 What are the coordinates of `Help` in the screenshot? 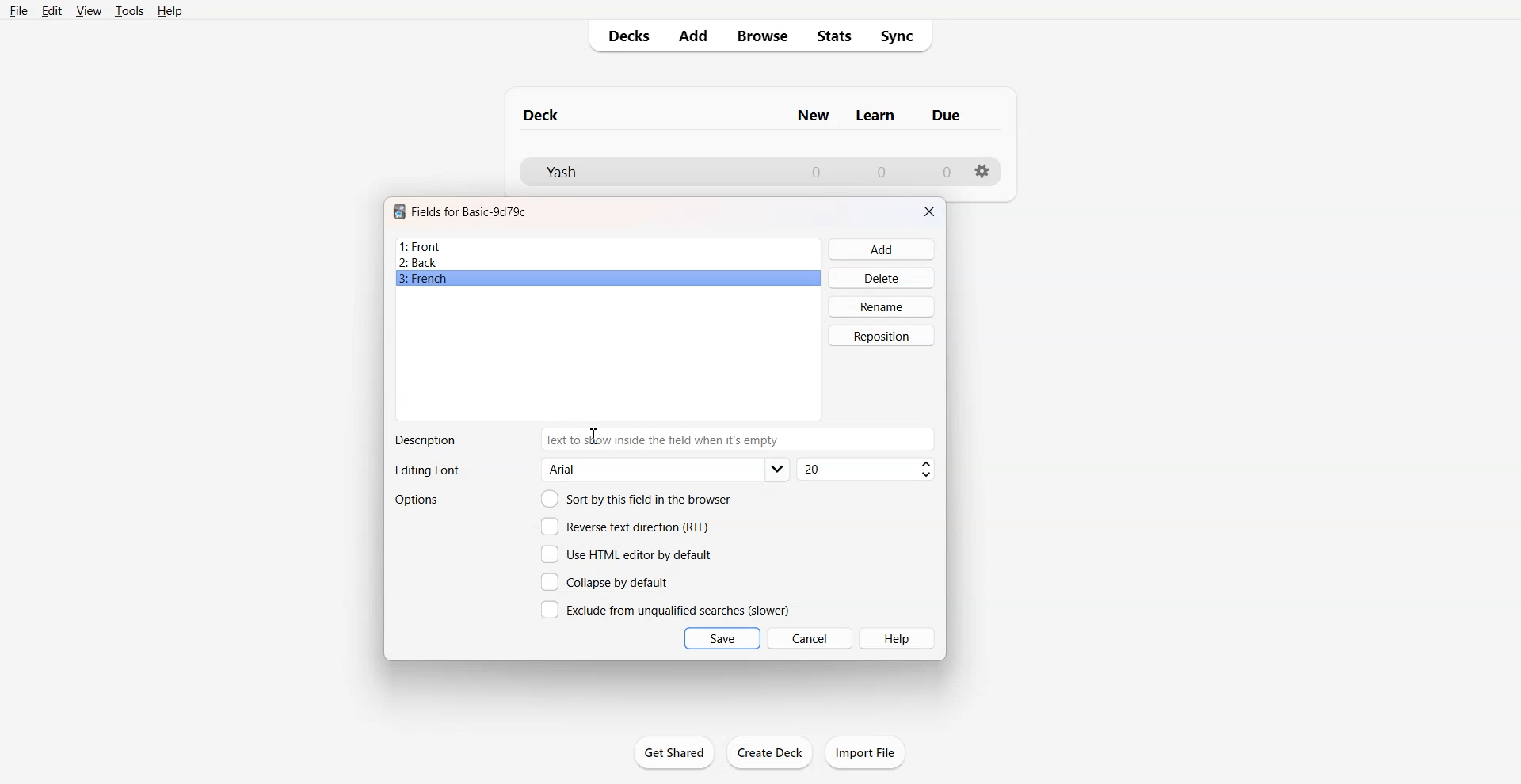 It's located at (170, 11).